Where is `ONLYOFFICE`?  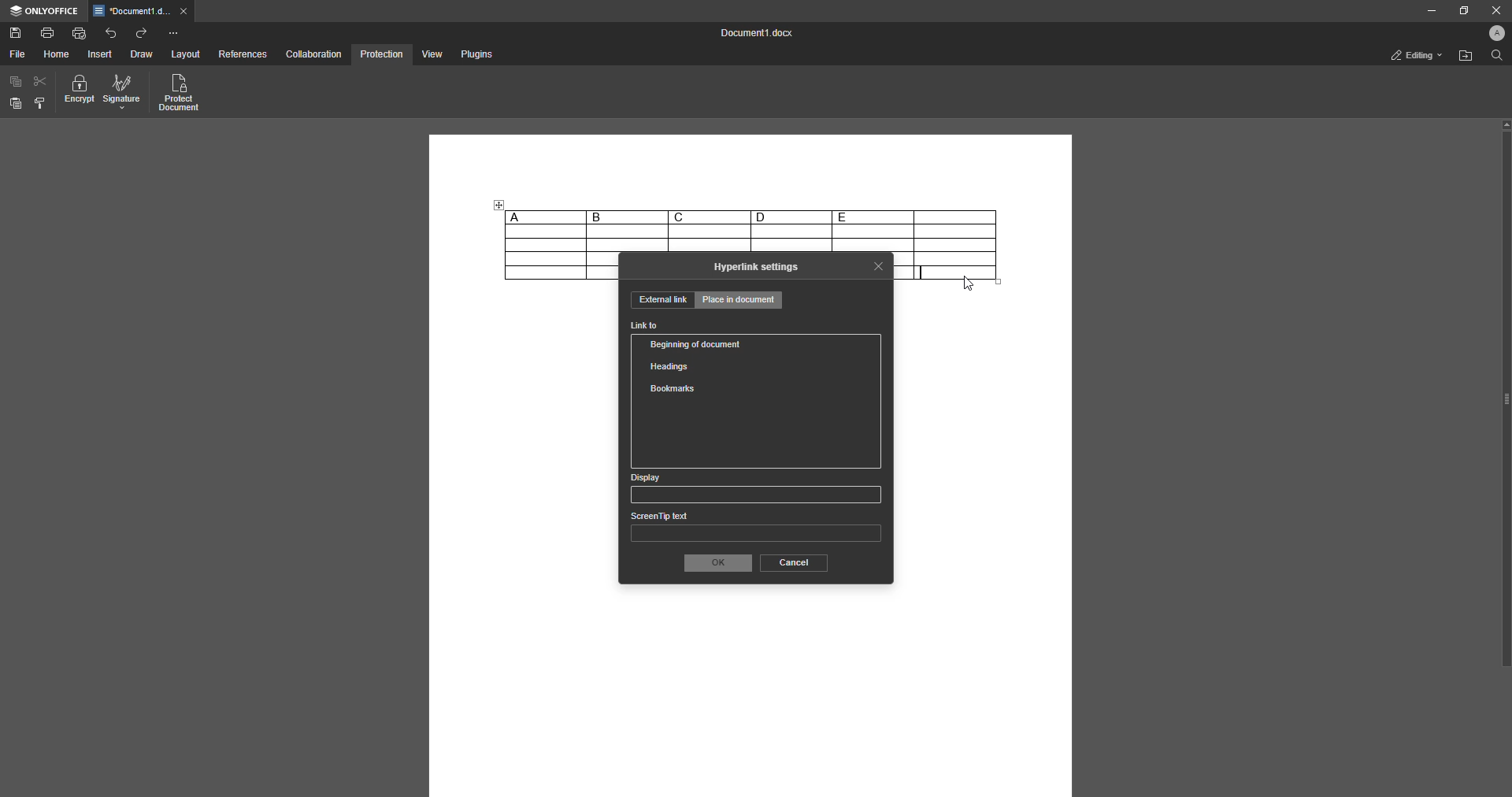
ONLYOFFICE is located at coordinates (44, 11).